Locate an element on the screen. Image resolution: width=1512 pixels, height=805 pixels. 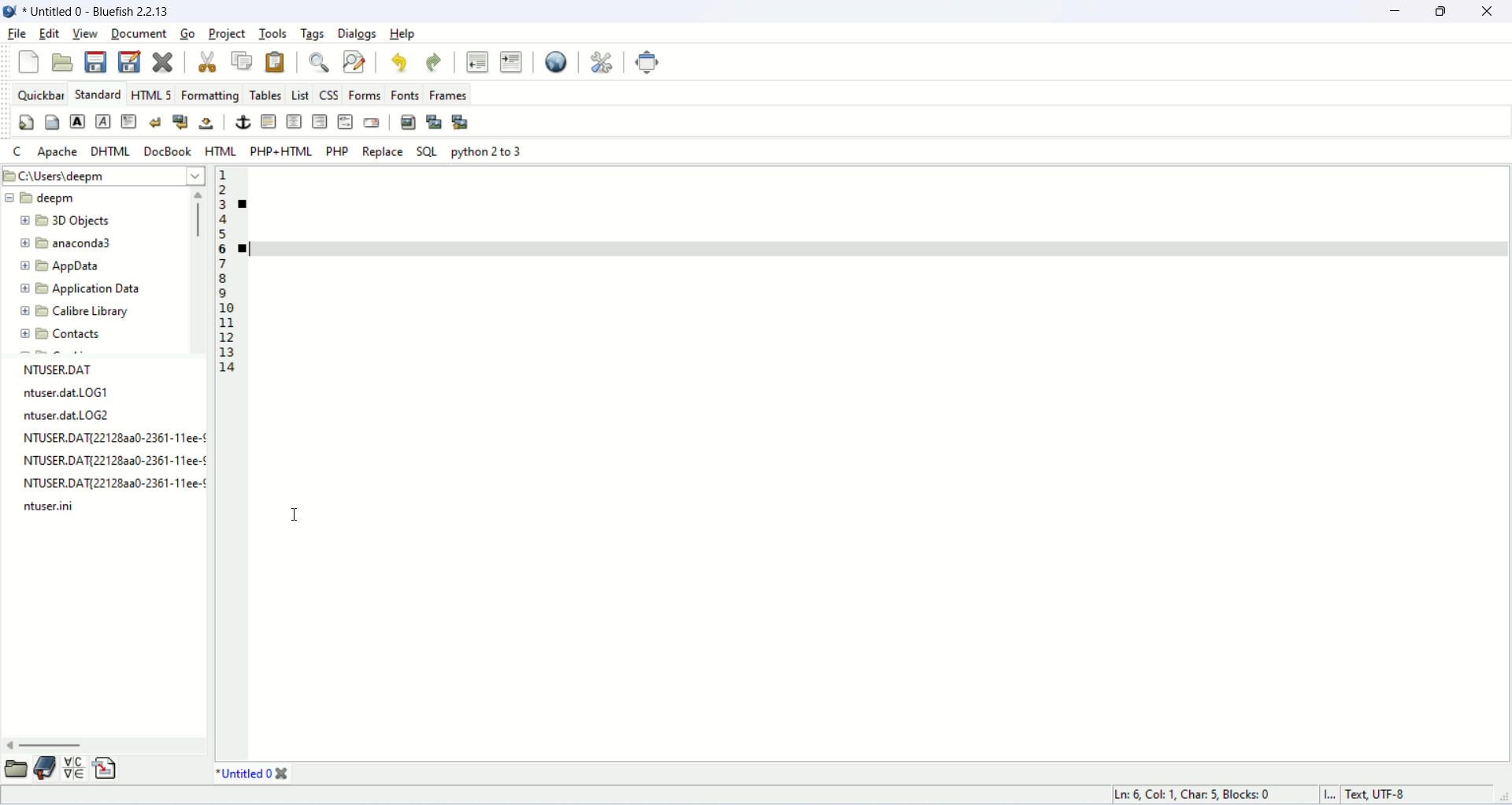
tags is located at coordinates (313, 33).